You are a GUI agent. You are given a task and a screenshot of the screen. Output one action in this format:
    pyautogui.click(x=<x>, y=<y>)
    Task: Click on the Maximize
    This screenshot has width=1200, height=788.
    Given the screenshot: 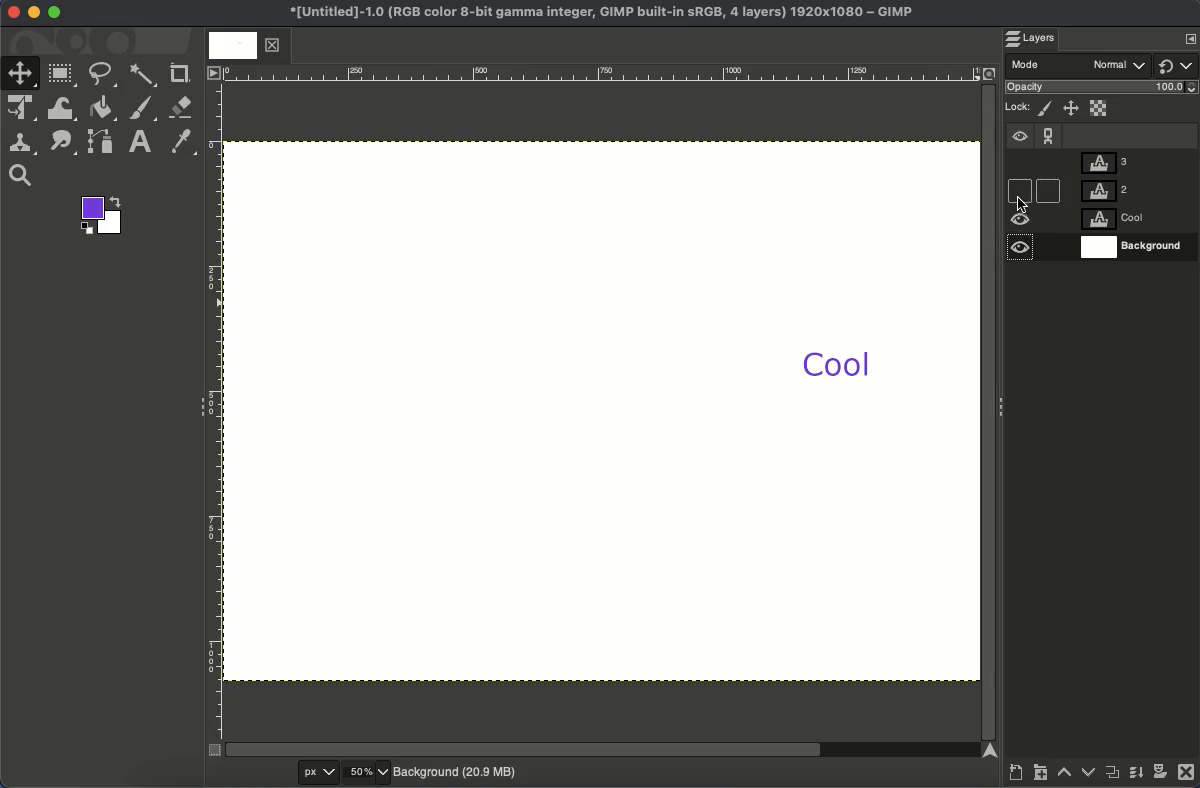 What is the action you would take?
    pyautogui.click(x=55, y=15)
    